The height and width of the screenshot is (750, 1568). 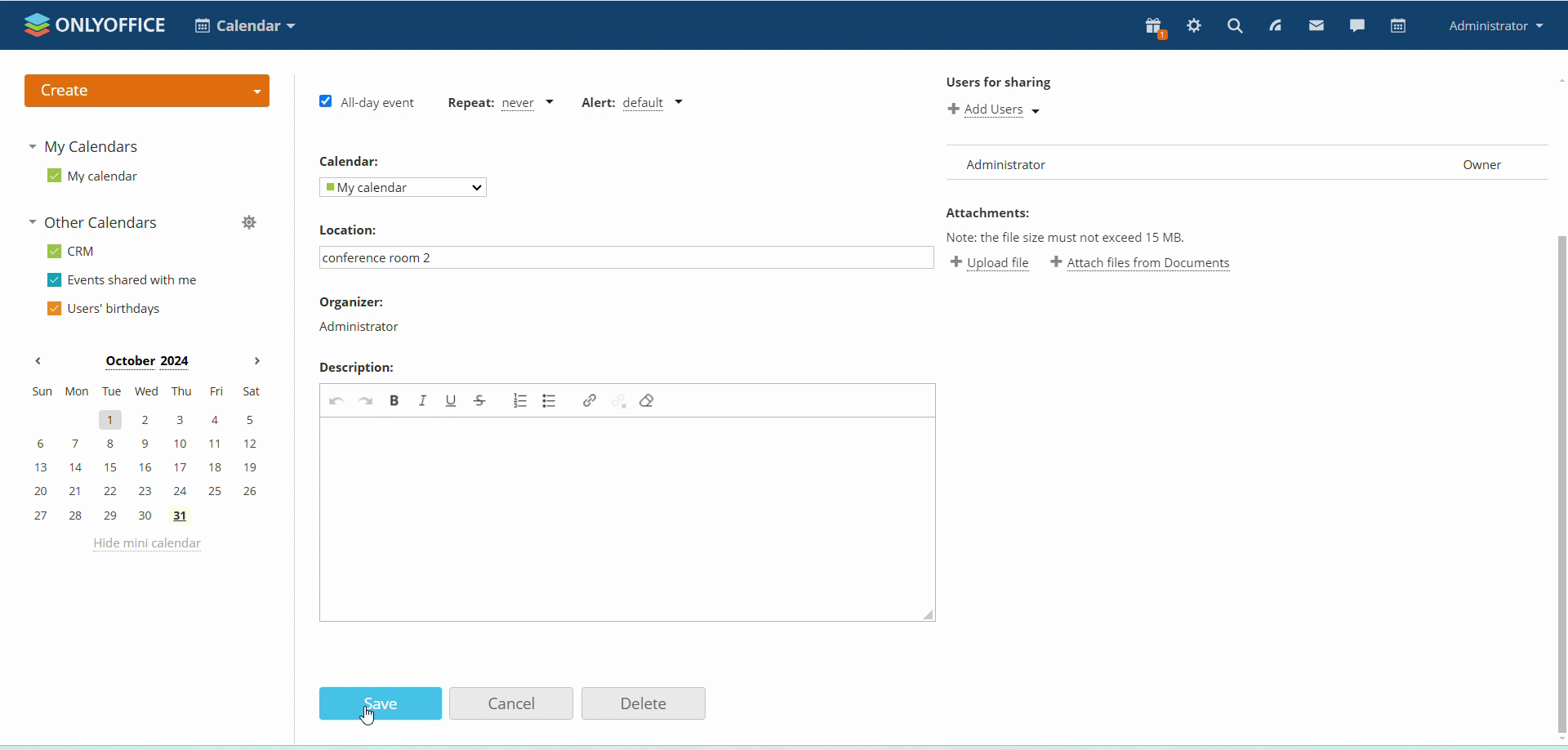 I want to click on previous month, so click(x=38, y=362).